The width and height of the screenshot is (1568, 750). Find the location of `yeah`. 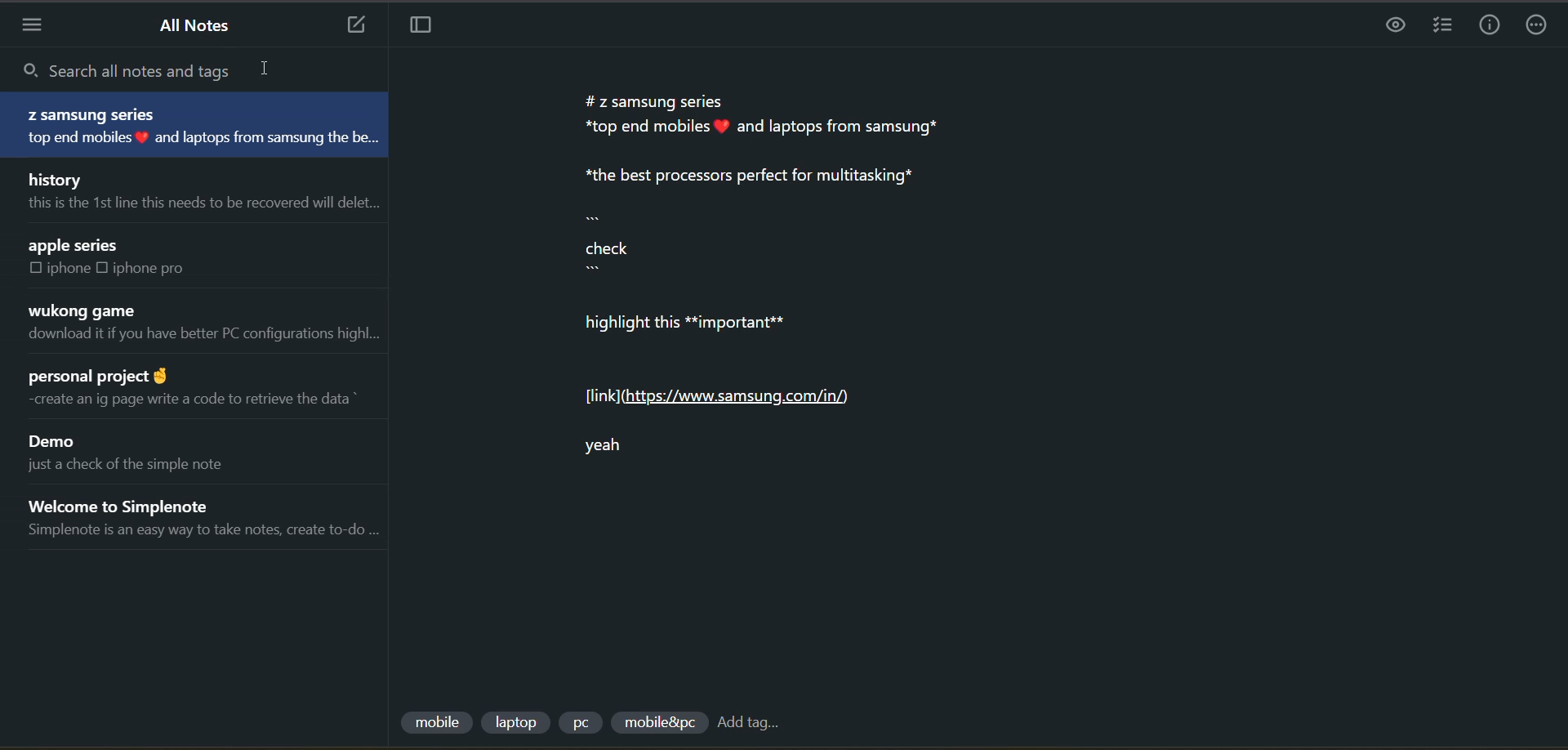

yeah is located at coordinates (628, 454).